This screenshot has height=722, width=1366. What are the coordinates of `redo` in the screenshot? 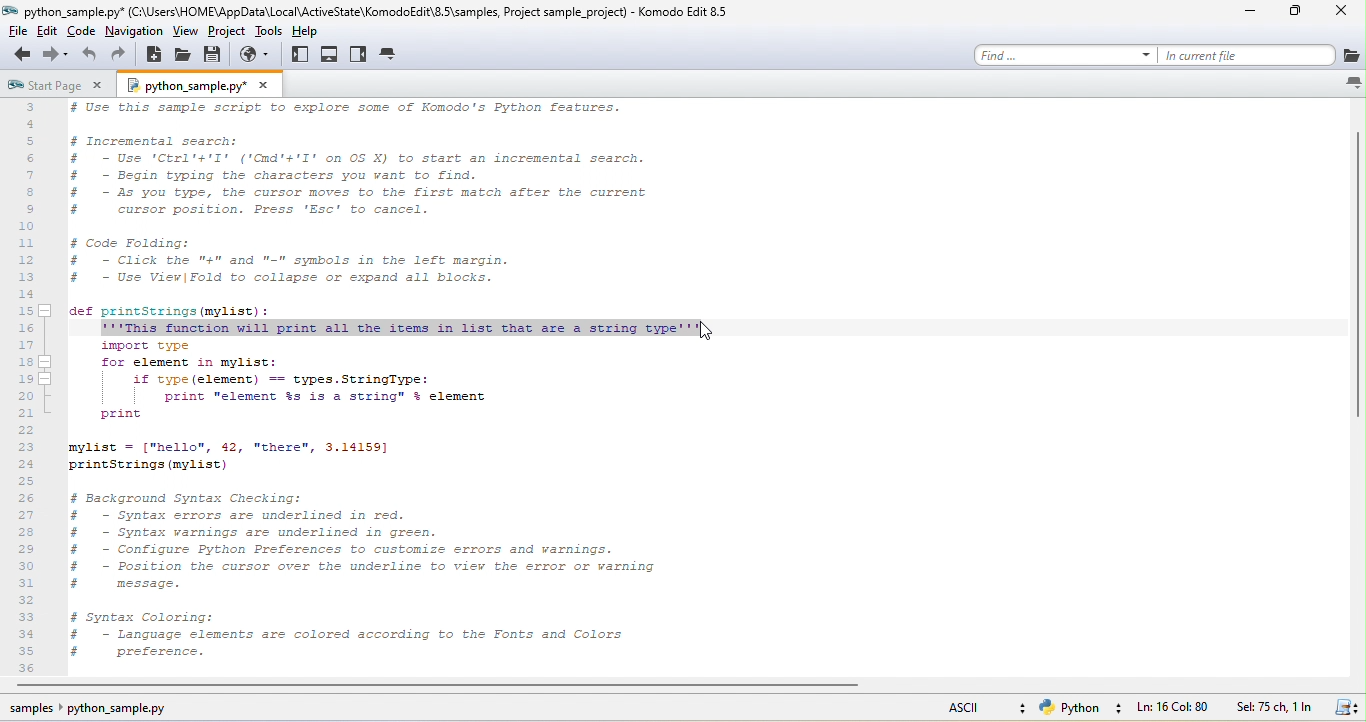 It's located at (124, 54).